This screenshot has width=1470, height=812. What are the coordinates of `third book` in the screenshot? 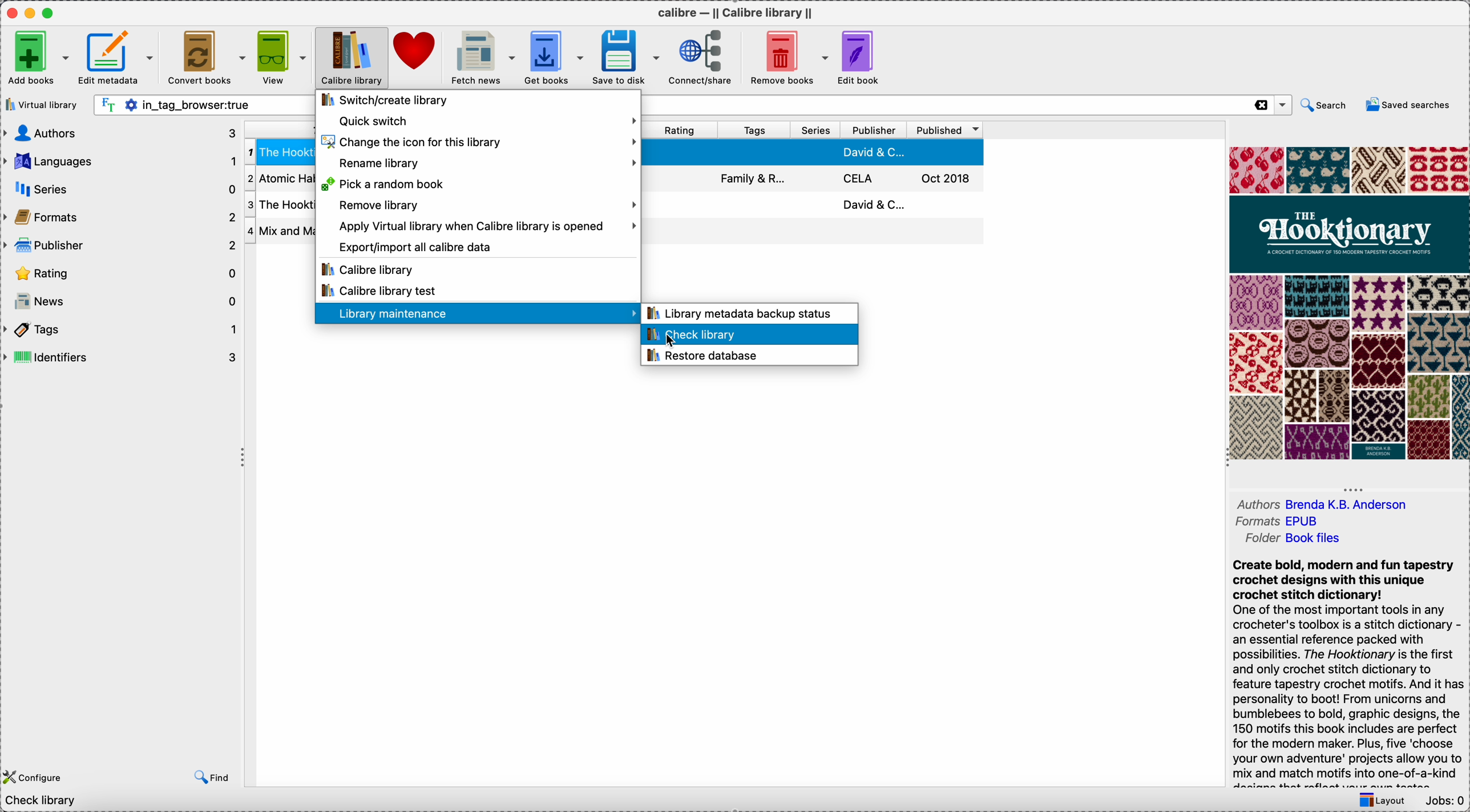 It's located at (818, 207).